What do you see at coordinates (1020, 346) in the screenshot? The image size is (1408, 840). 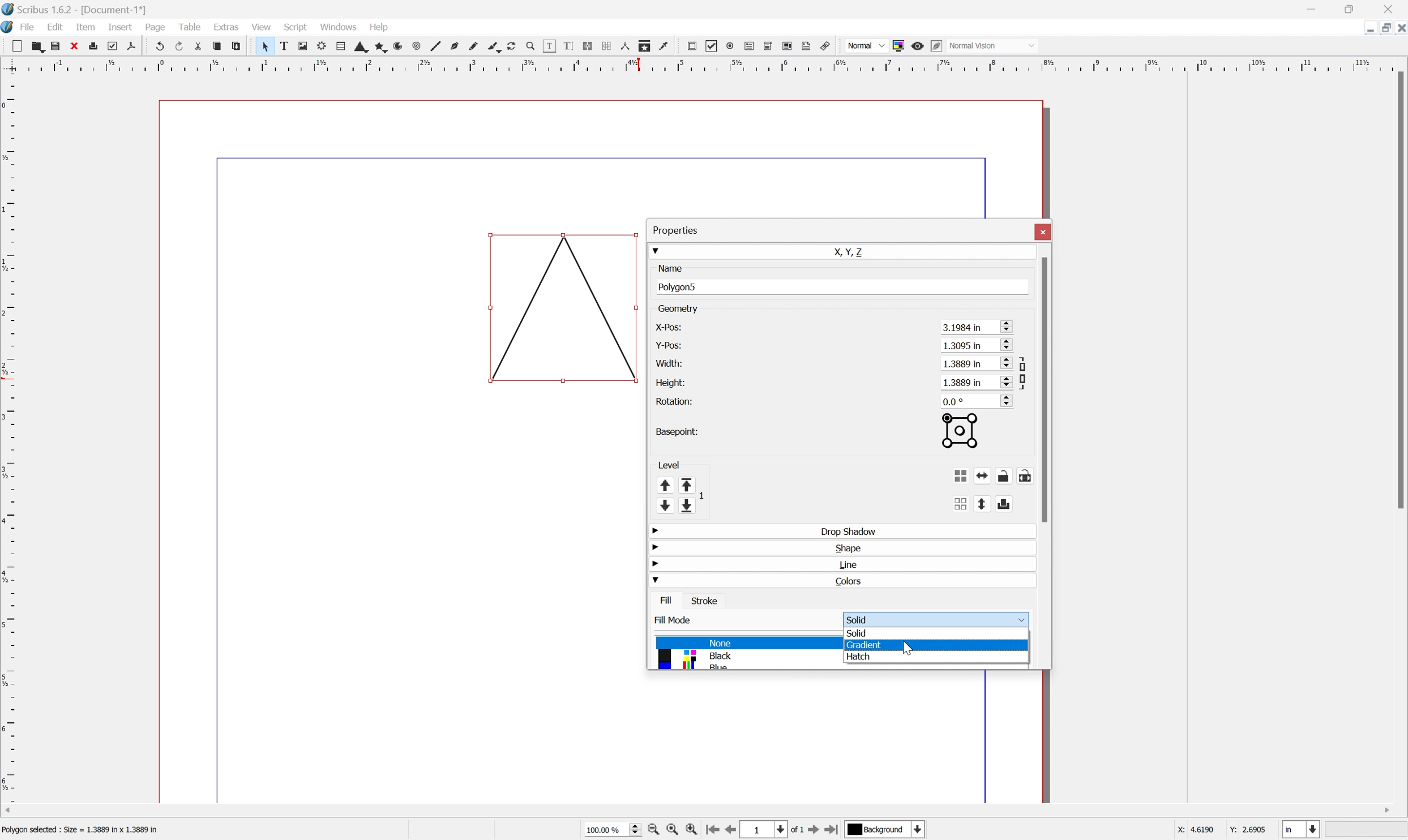 I see `Scroll` at bounding box center [1020, 346].